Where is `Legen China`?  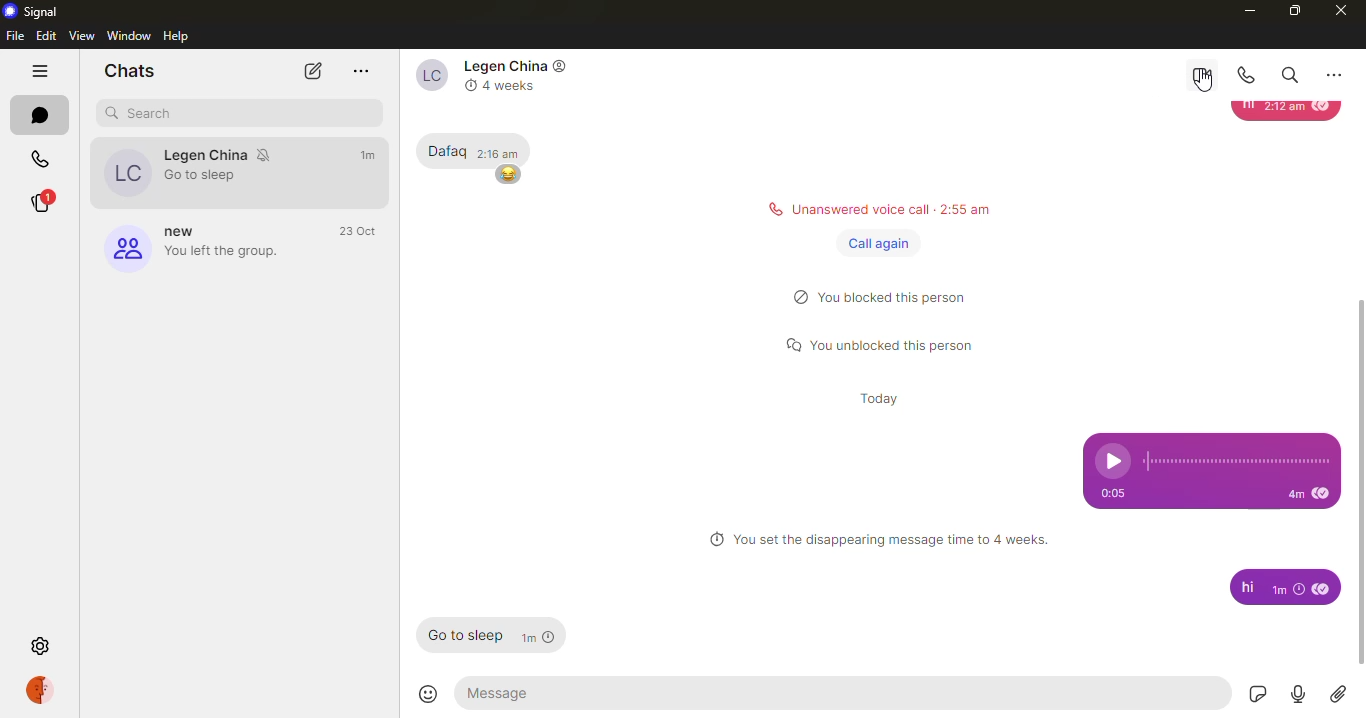
Legen China is located at coordinates (505, 66).